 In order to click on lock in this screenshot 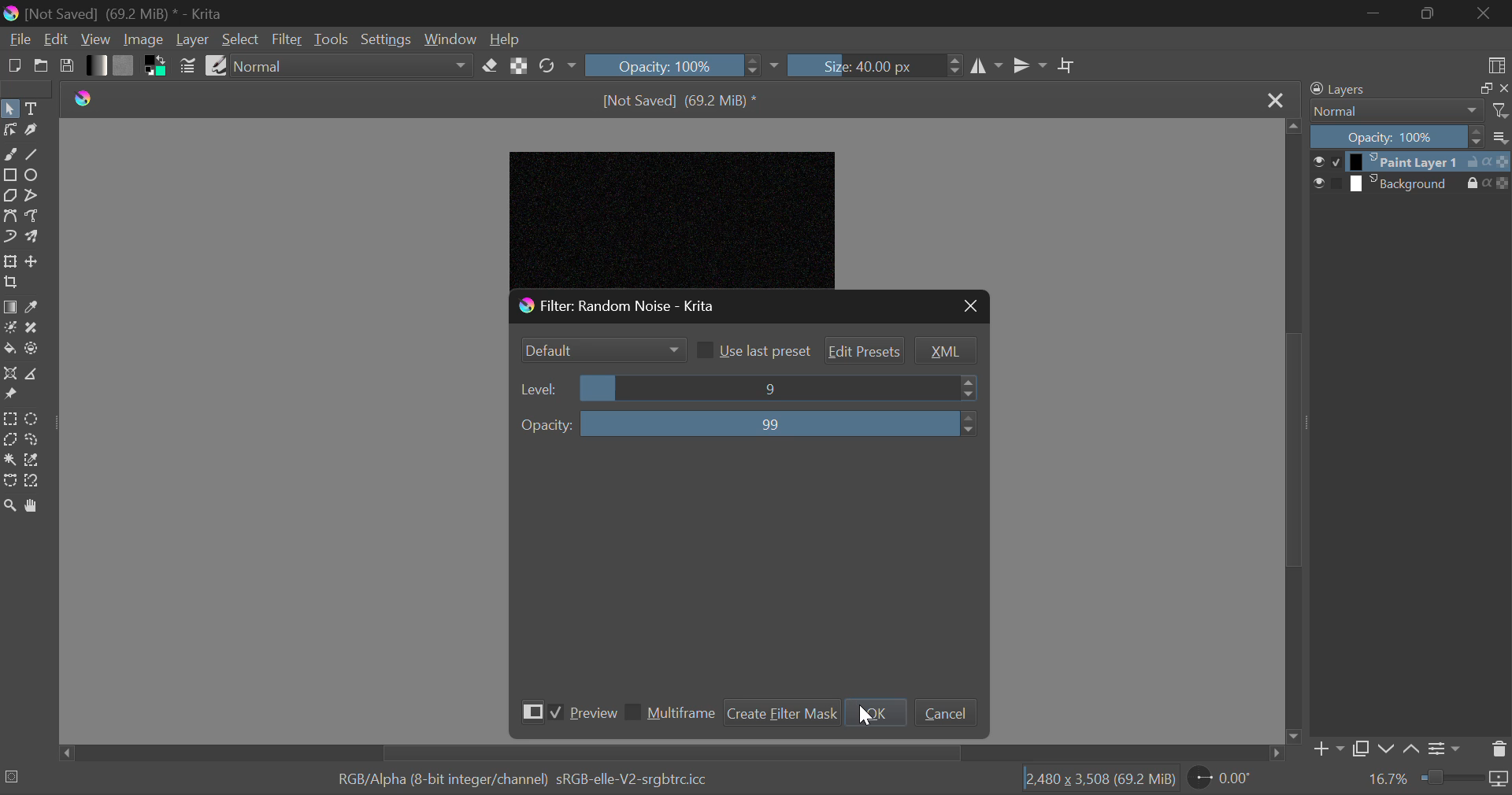, I will do `click(1469, 161)`.